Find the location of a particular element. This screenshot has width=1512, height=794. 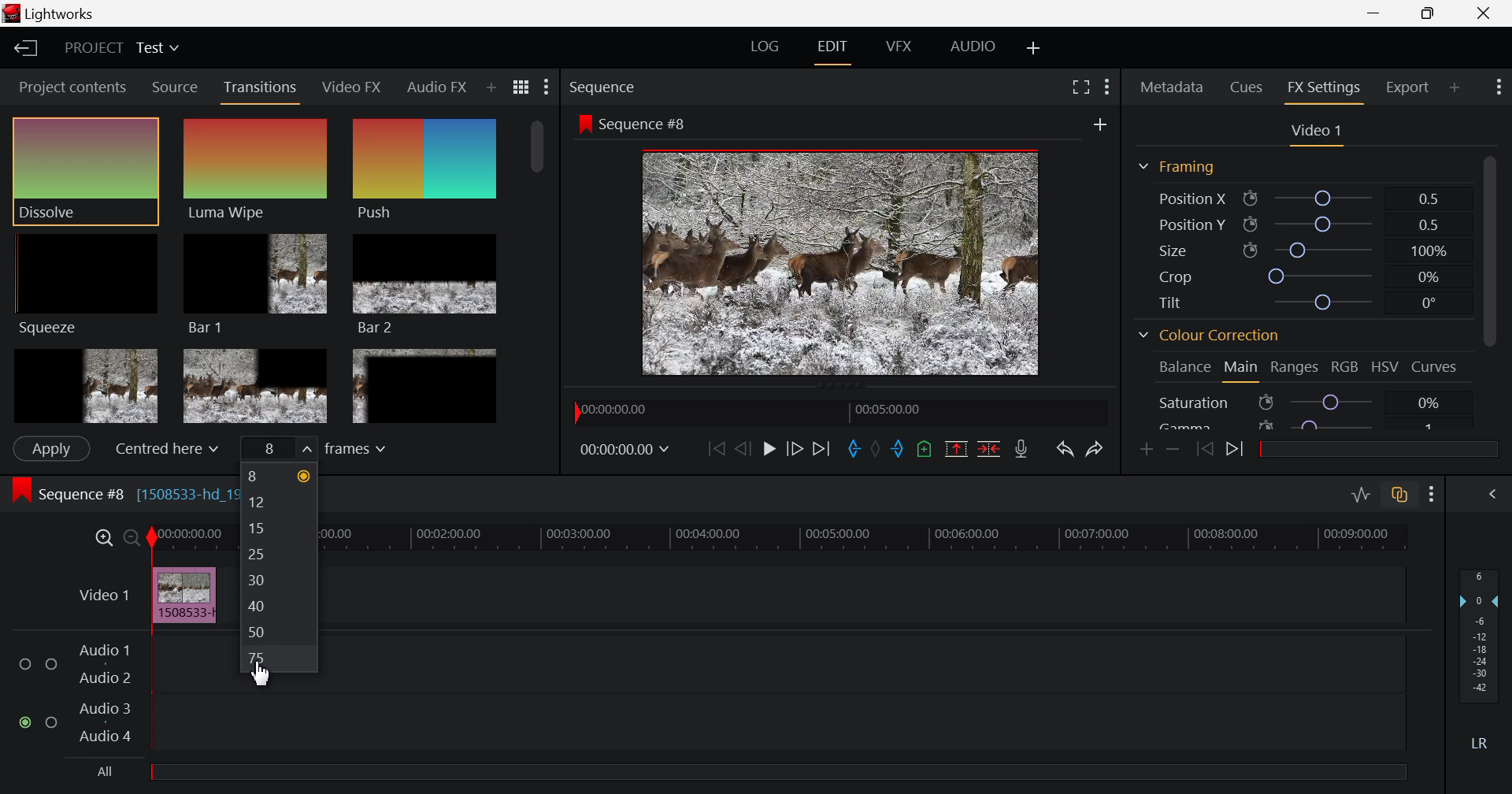

Mark Cue is located at coordinates (926, 451).